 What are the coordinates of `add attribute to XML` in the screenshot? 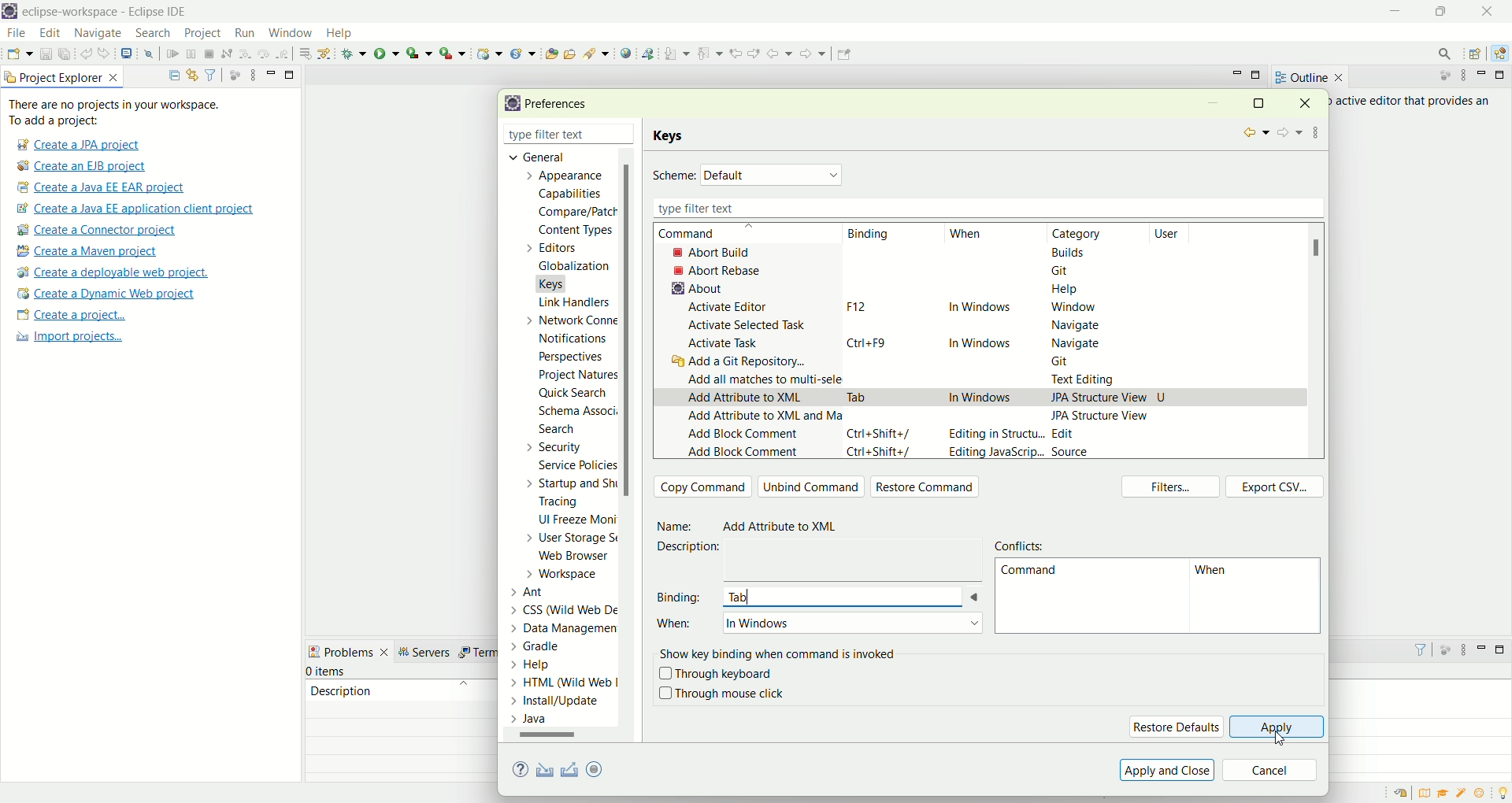 It's located at (745, 398).